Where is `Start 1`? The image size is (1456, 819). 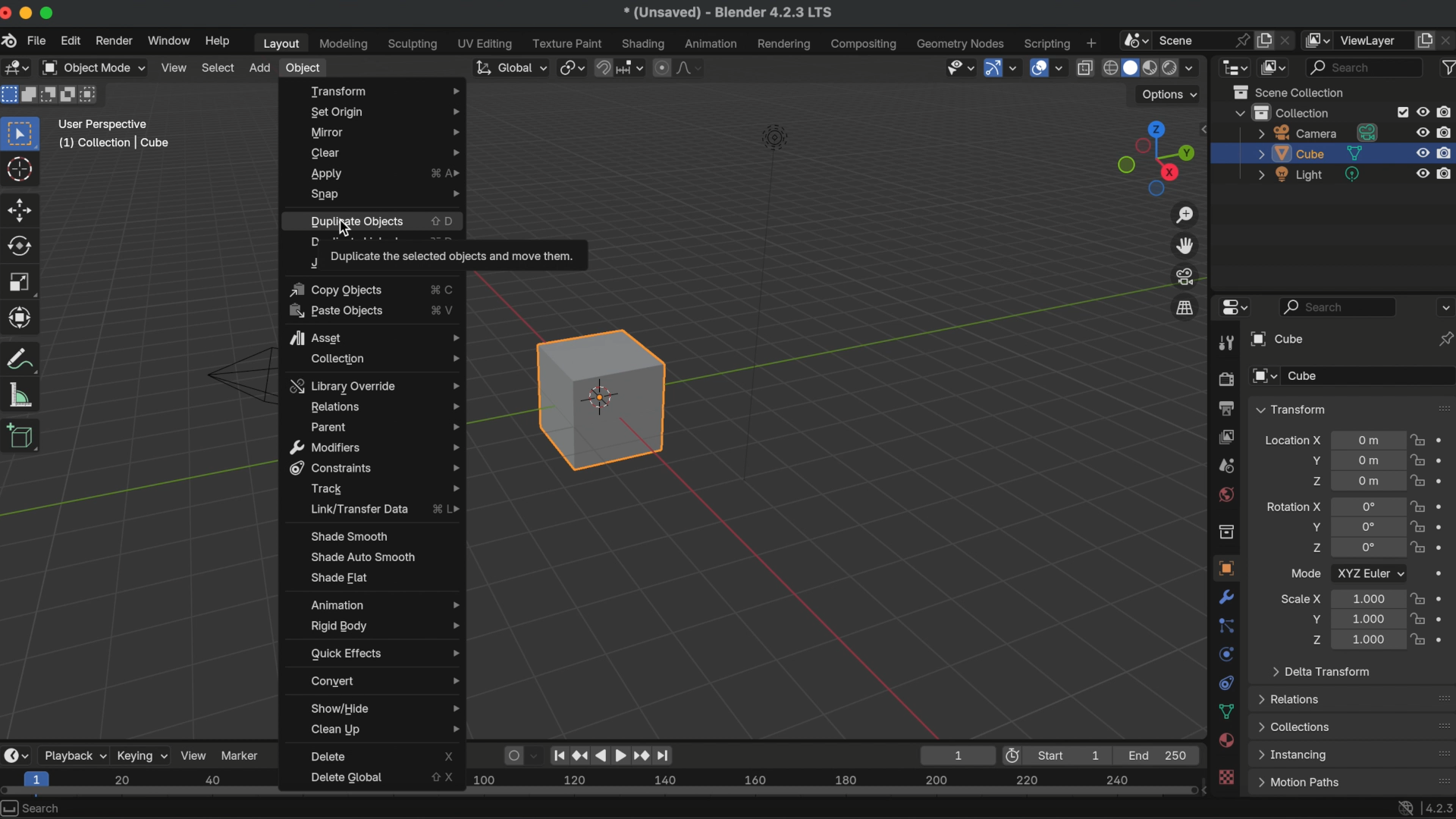
Start 1 is located at coordinates (1075, 755).